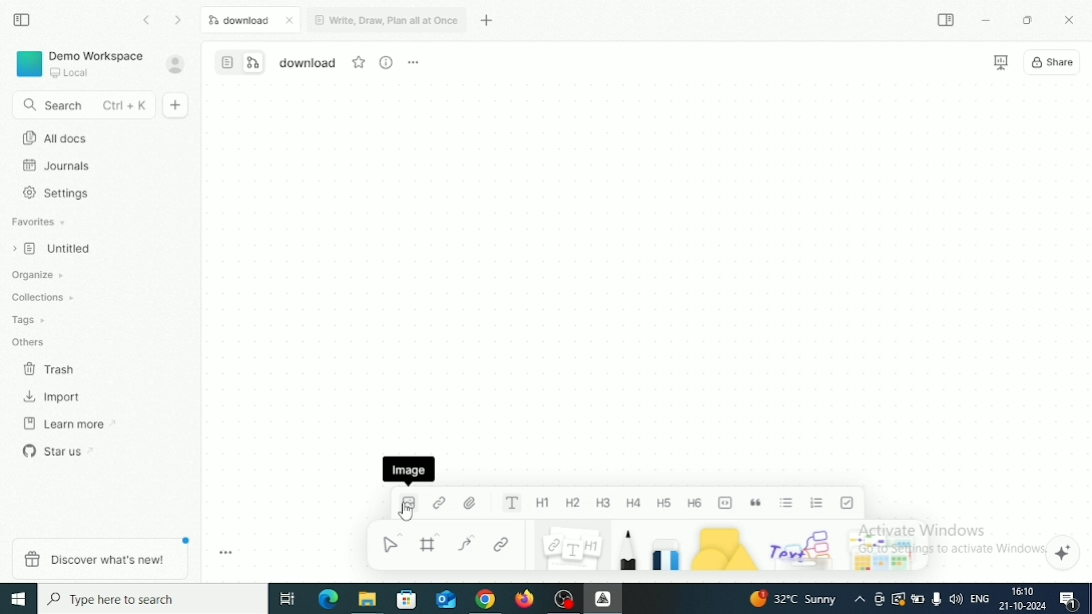 This screenshot has width=1092, height=614. I want to click on Frame, so click(432, 543).